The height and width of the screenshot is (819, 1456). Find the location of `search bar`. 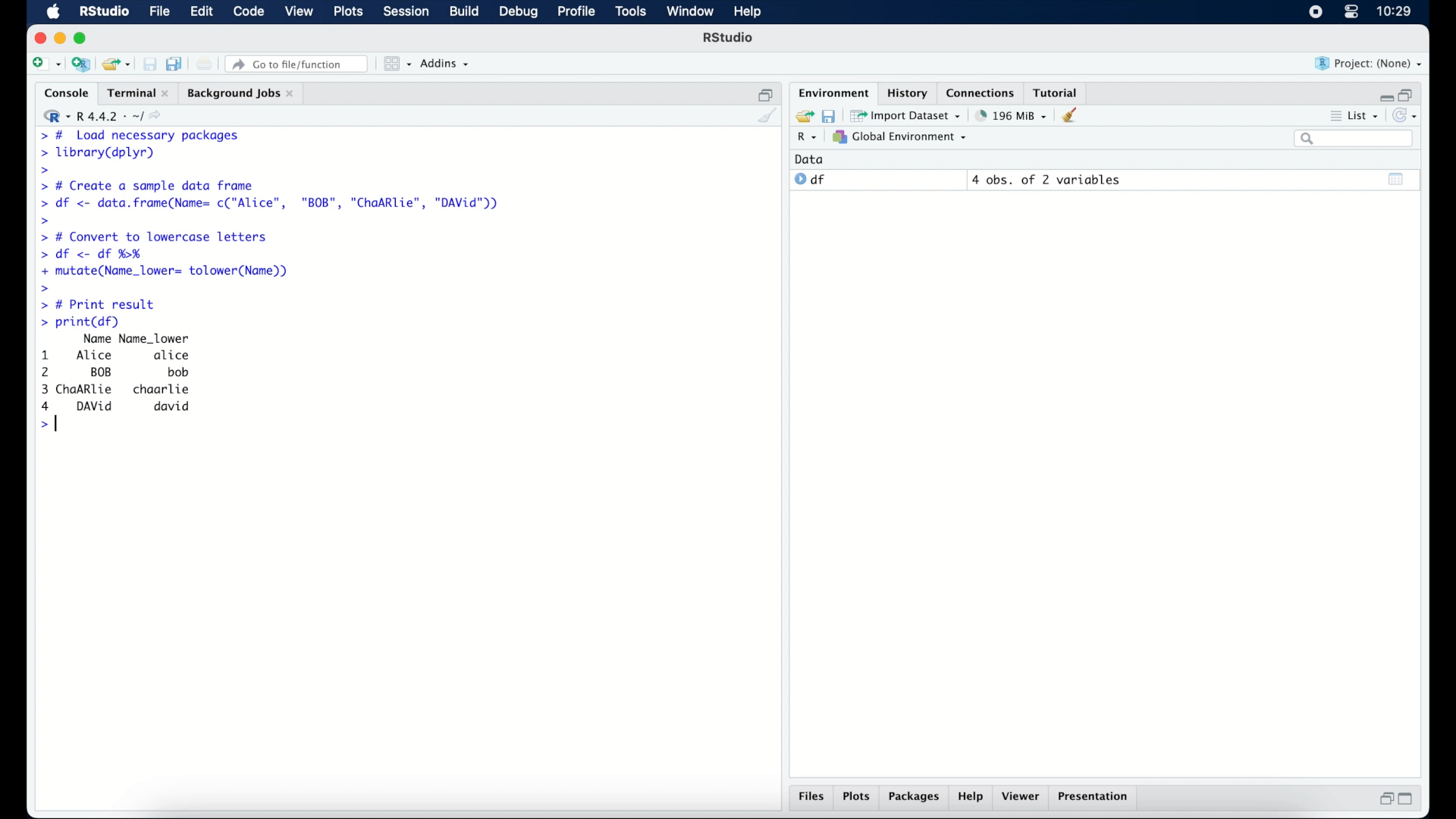

search bar is located at coordinates (1353, 140).